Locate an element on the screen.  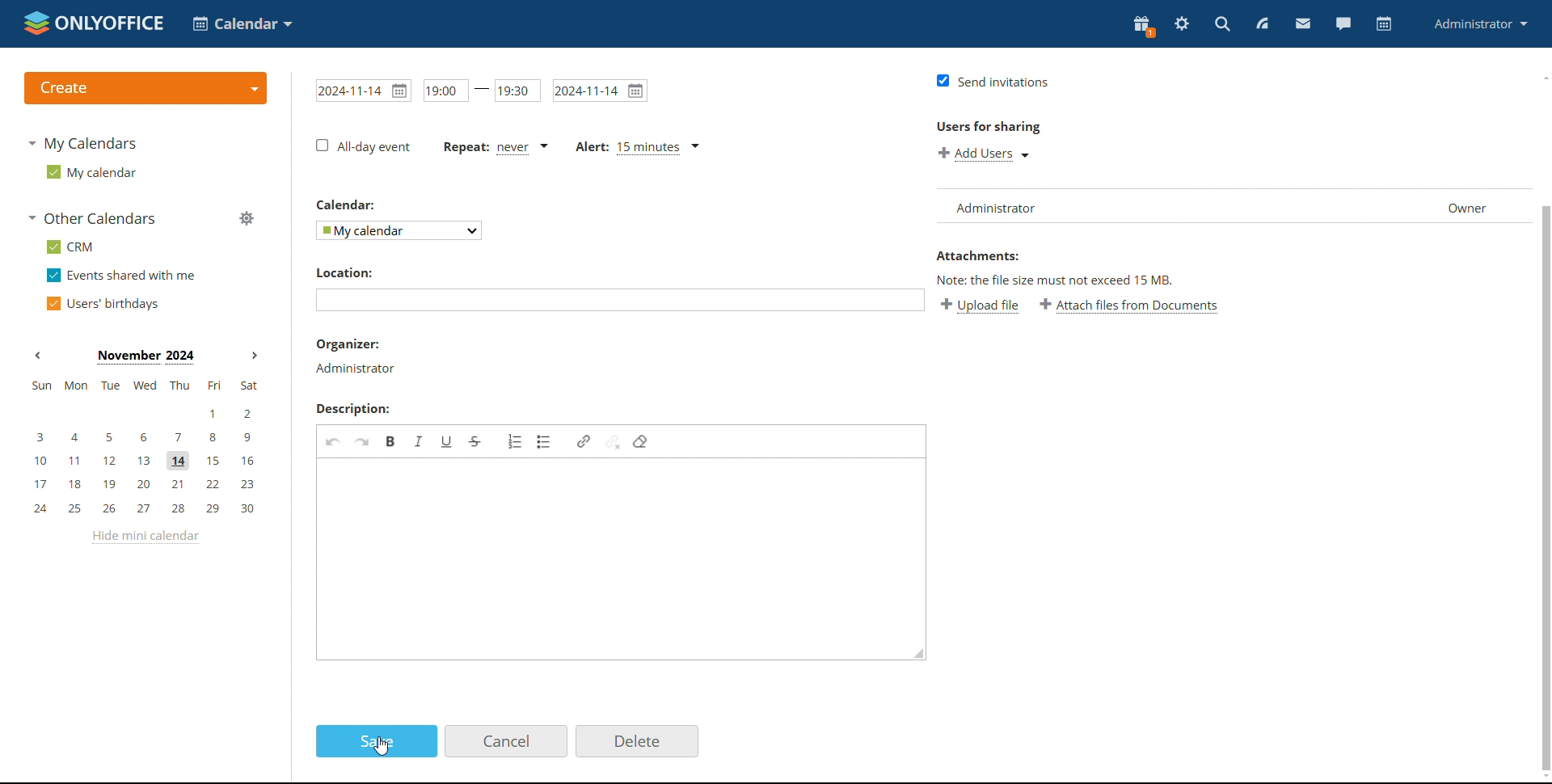
scroll up is located at coordinates (1542, 75).